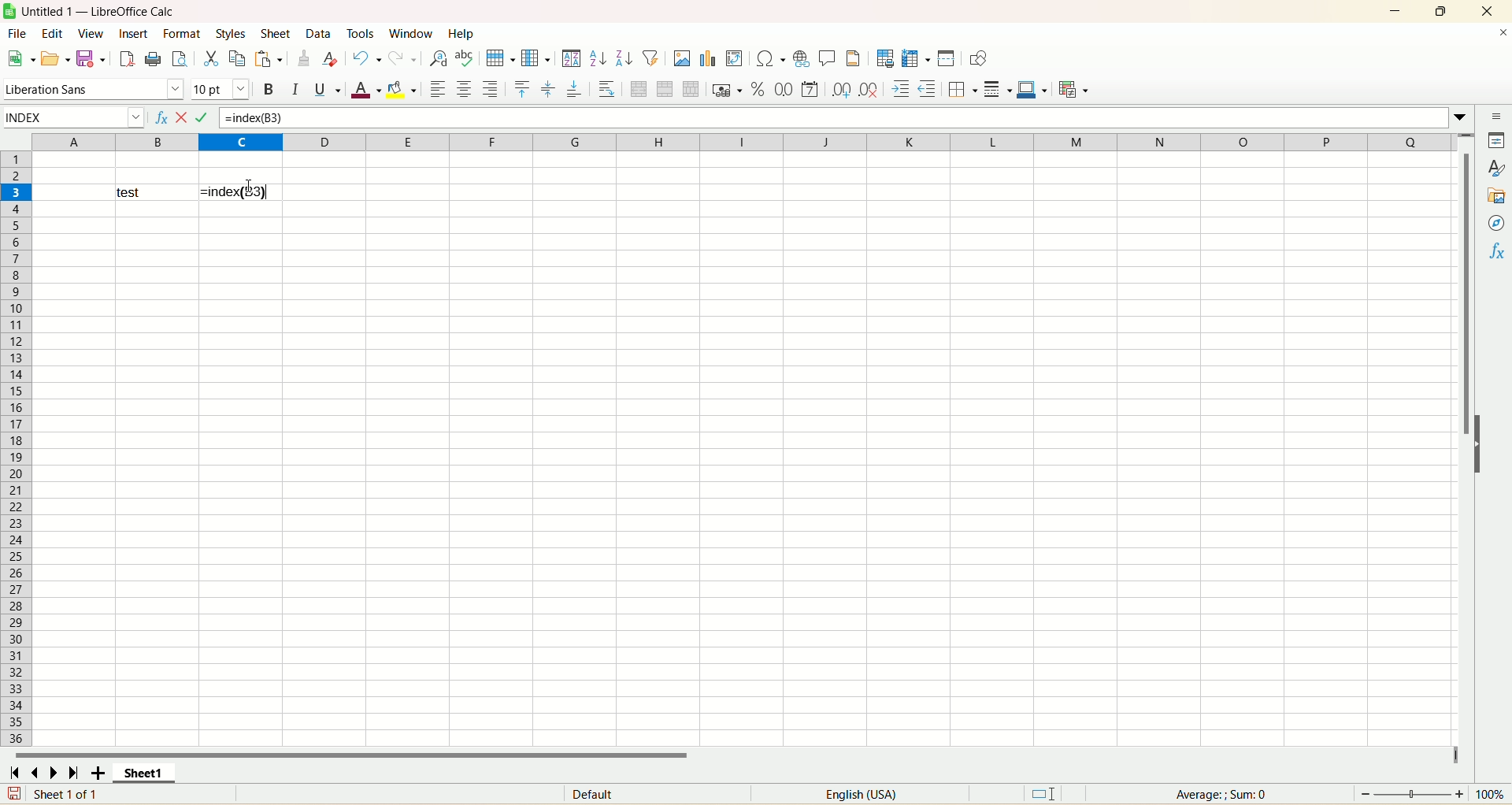 Image resolution: width=1512 pixels, height=805 pixels. Describe the element at coordinates (17, 33) in the screenshot. I see `file` at that location.